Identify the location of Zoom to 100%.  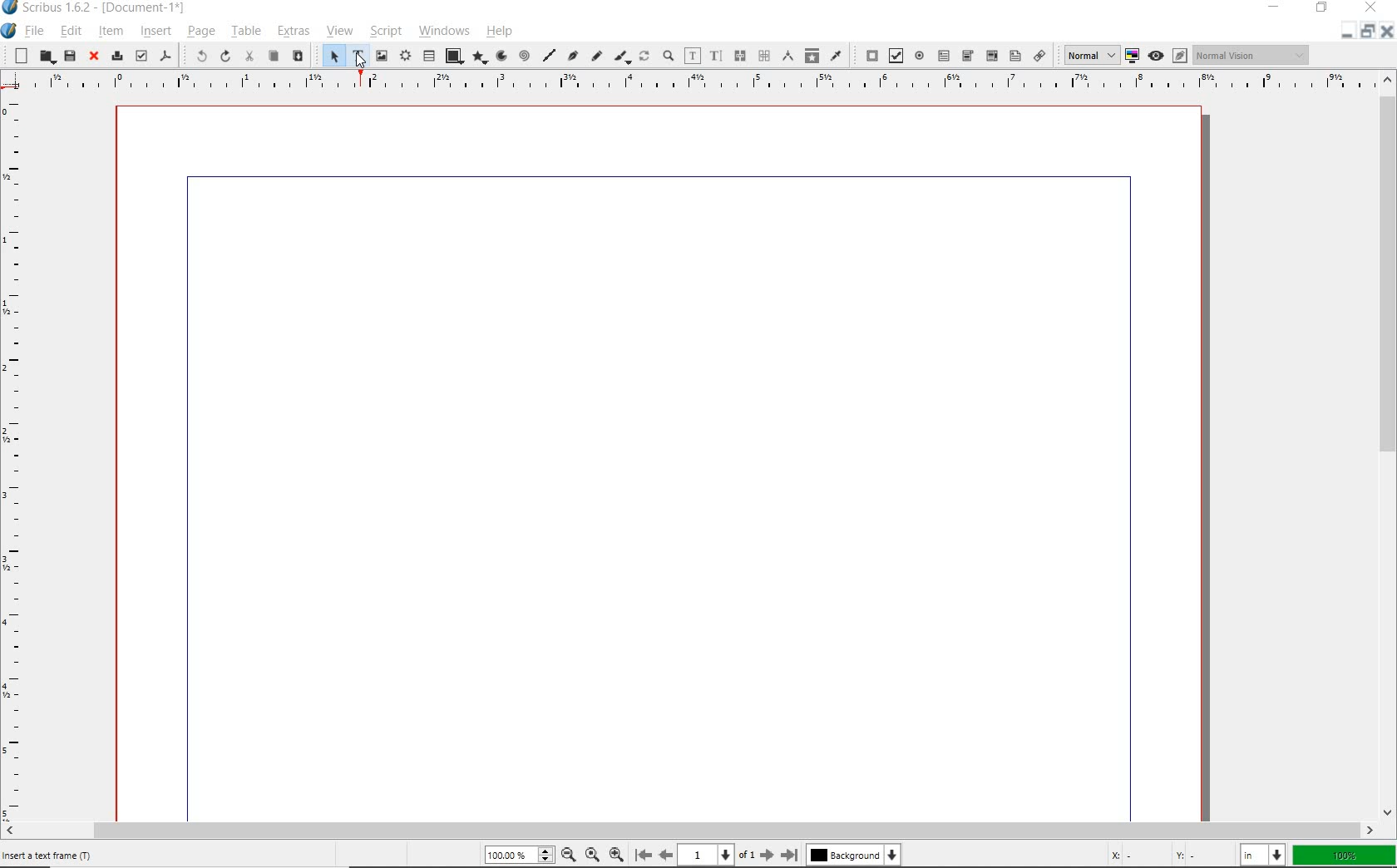
(593, 856).